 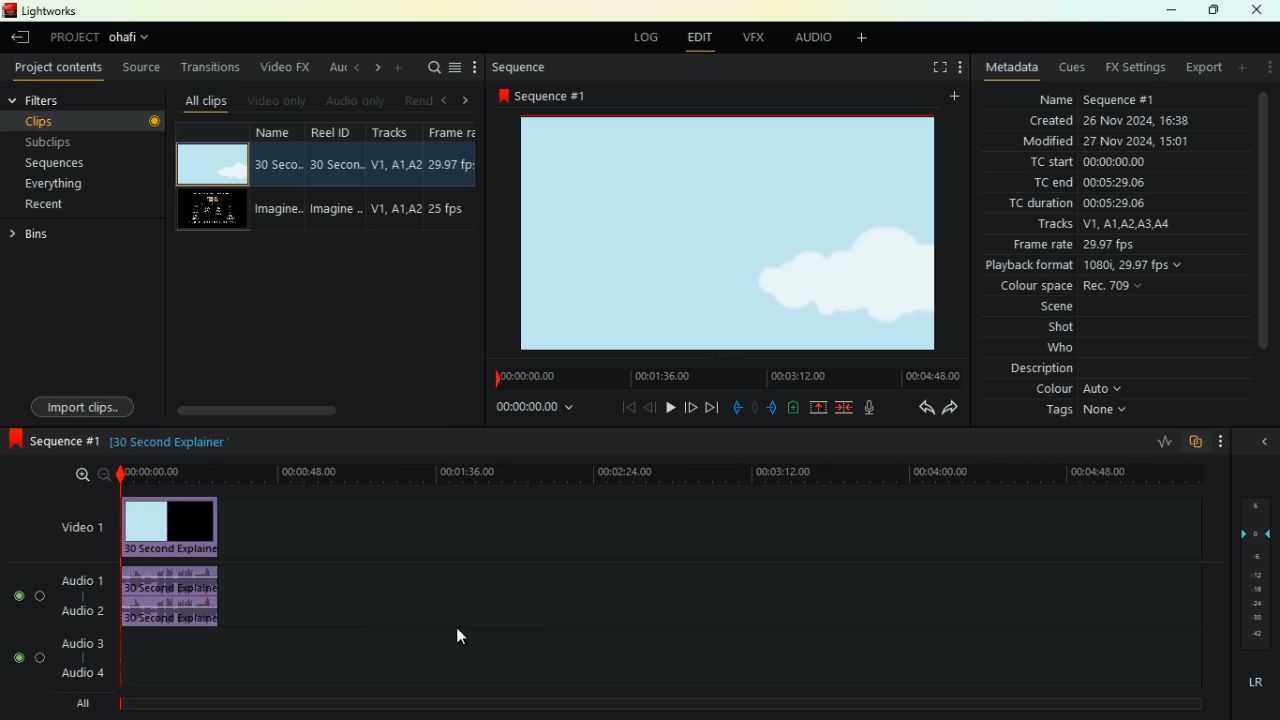 What do you see at coordinates (670, 407) in the screenshot?
I see `play` at bounding box center [670, 407].